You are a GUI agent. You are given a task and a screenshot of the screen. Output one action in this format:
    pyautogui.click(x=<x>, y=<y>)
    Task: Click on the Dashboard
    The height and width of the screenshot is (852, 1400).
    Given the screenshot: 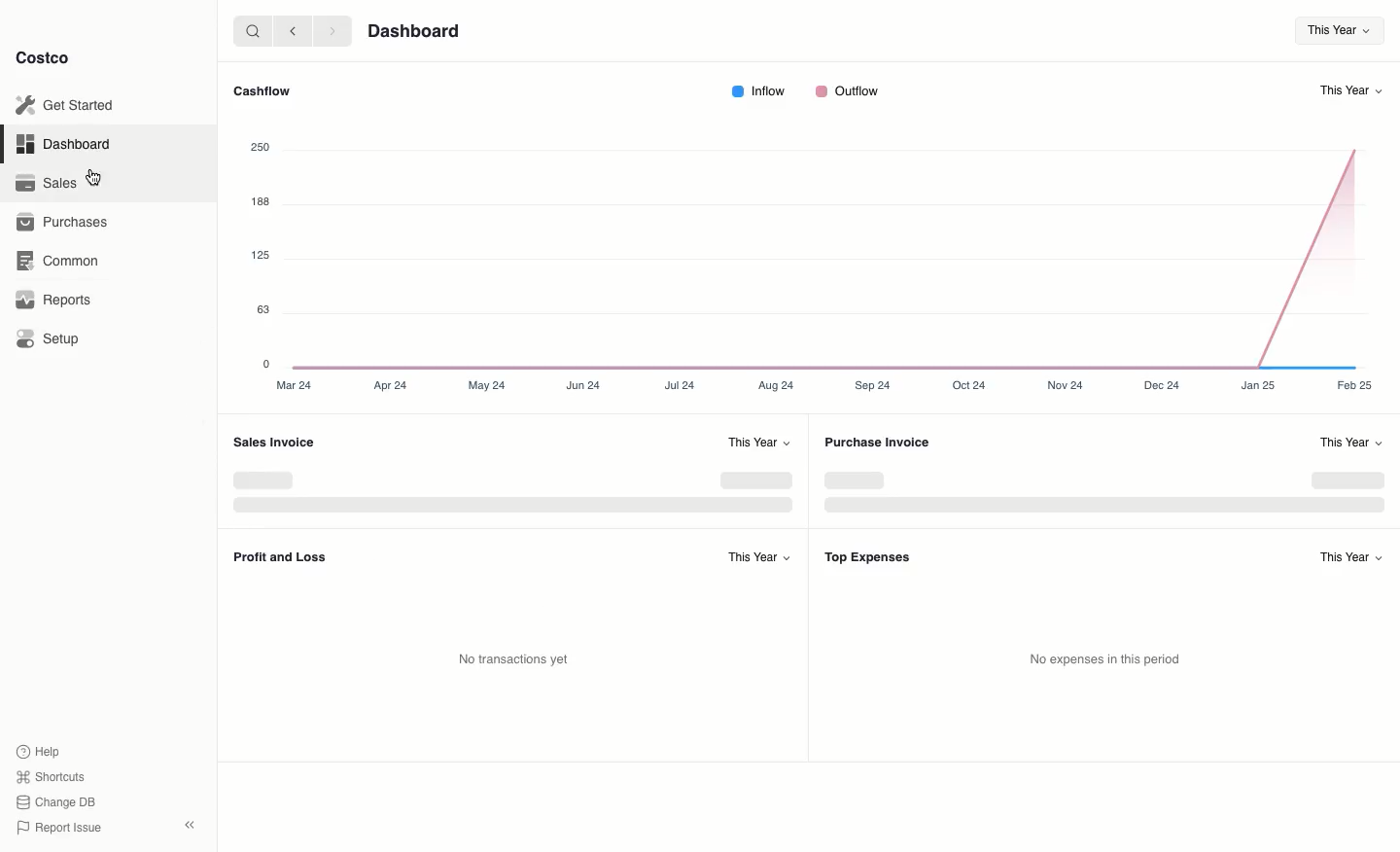 What is the action you would take?
    pyautogui.click(x=415, y=31)
    